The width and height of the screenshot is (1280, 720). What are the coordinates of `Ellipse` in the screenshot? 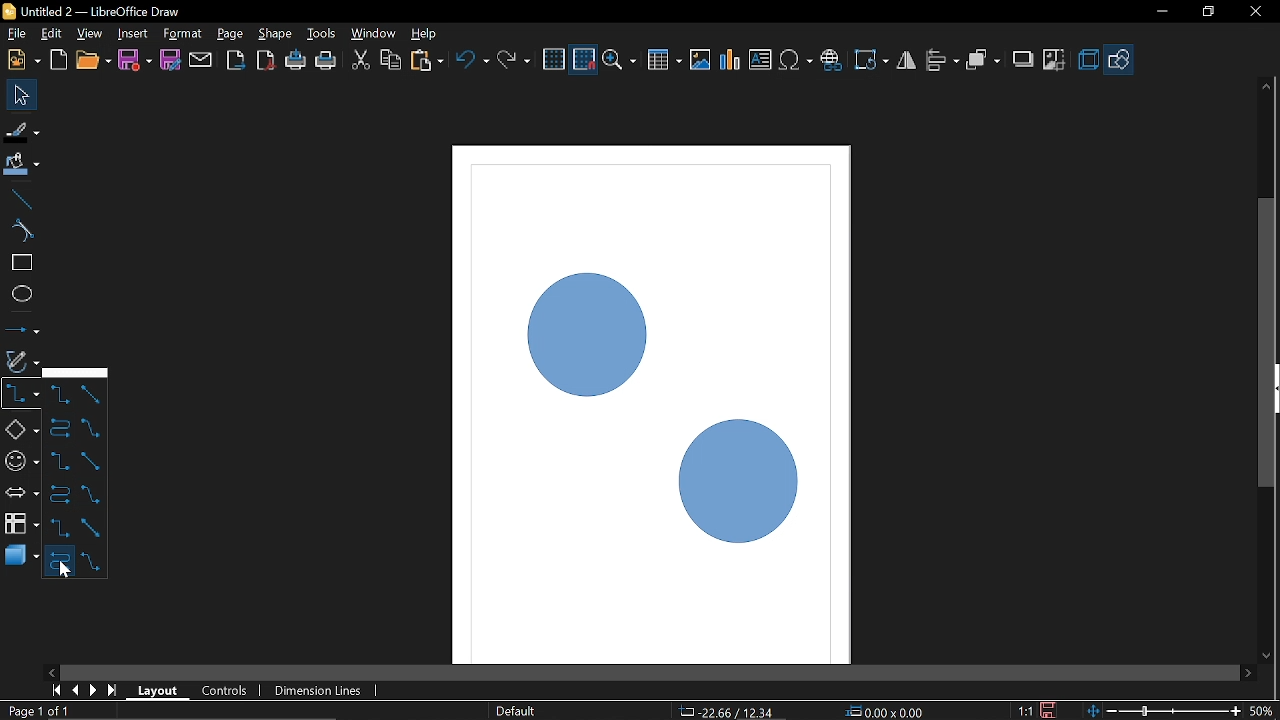 It's located at (19, 294).